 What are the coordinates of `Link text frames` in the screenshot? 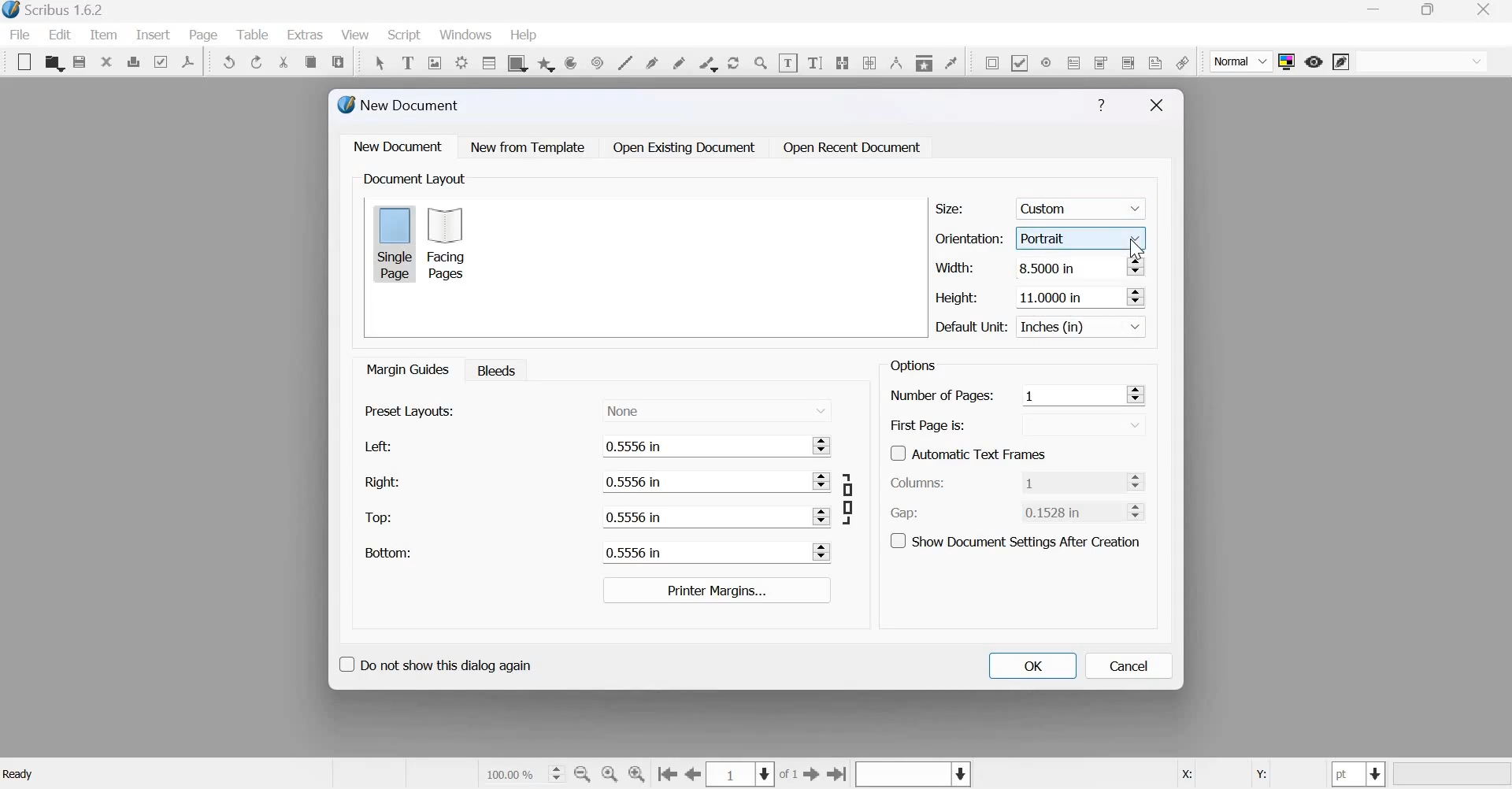 It's located at (842, 61).